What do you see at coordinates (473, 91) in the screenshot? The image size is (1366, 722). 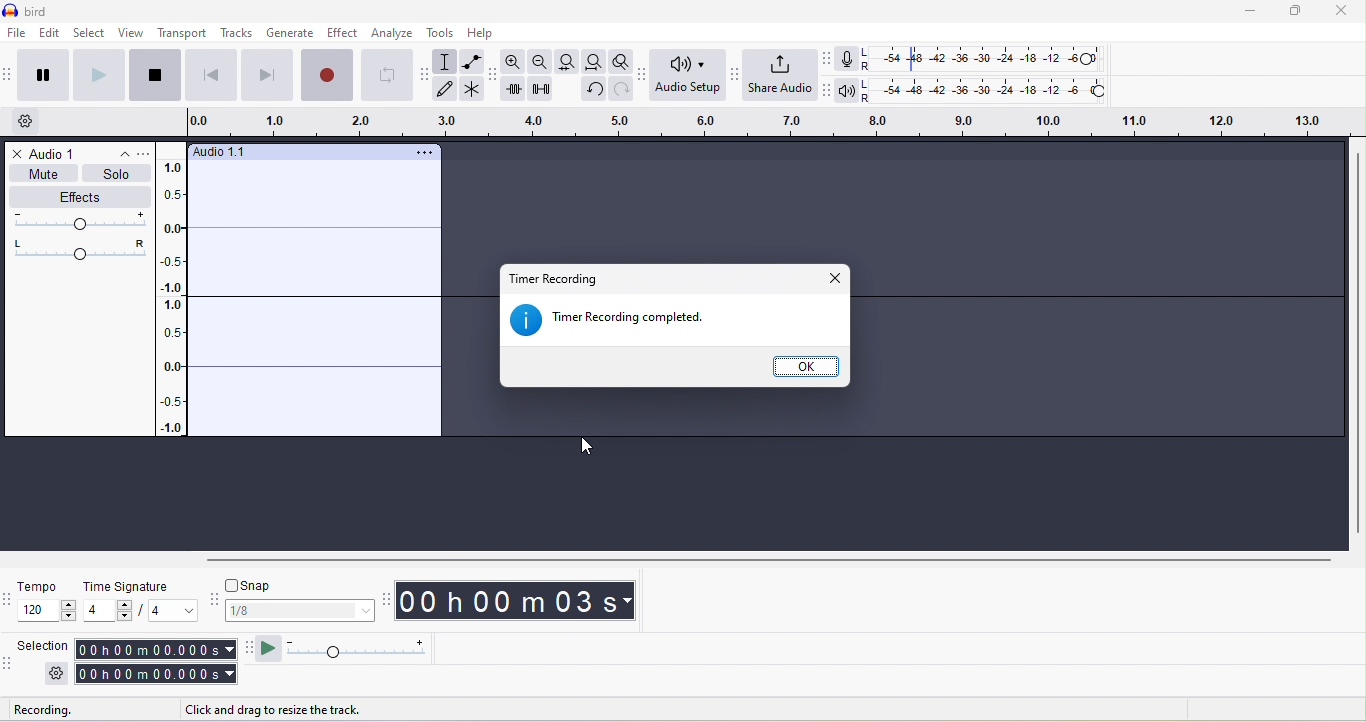 I see `multi tool` at bounding box center [473, 91].